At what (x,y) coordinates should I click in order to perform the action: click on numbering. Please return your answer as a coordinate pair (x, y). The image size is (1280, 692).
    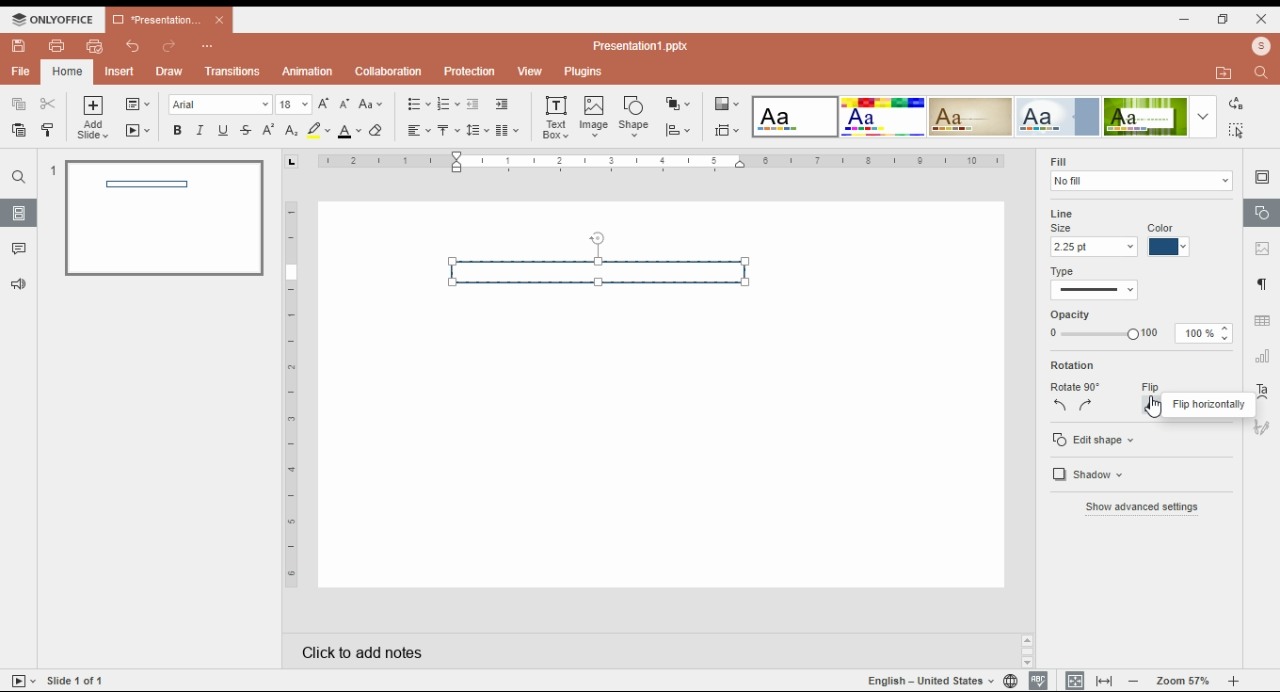
    Looking at the image, I should click on (448, 104).